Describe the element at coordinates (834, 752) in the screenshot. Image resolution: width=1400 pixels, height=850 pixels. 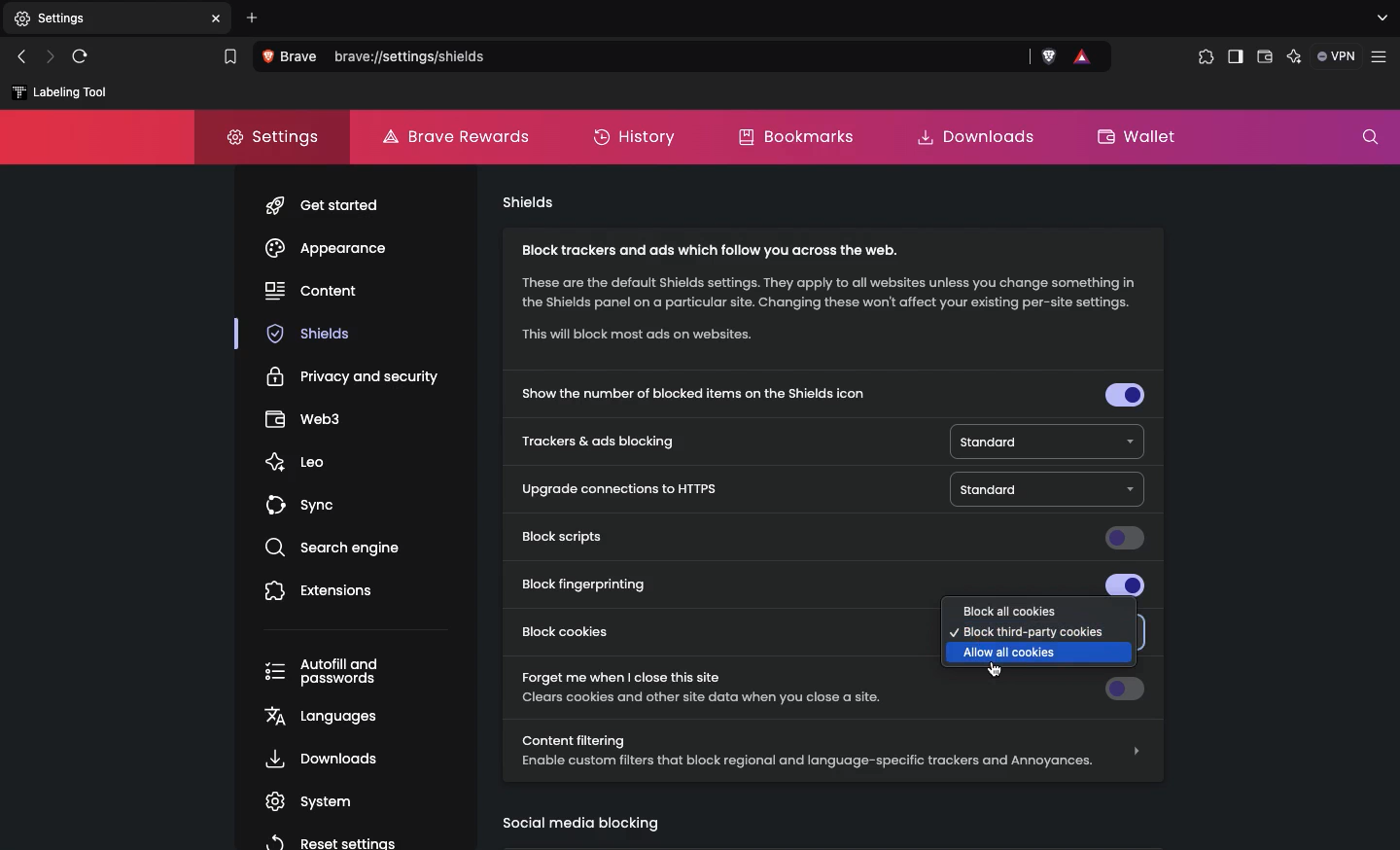
I see `Content filtering Enable custom filters that block regional and language-specific trackers and Annoyances.` at that location.